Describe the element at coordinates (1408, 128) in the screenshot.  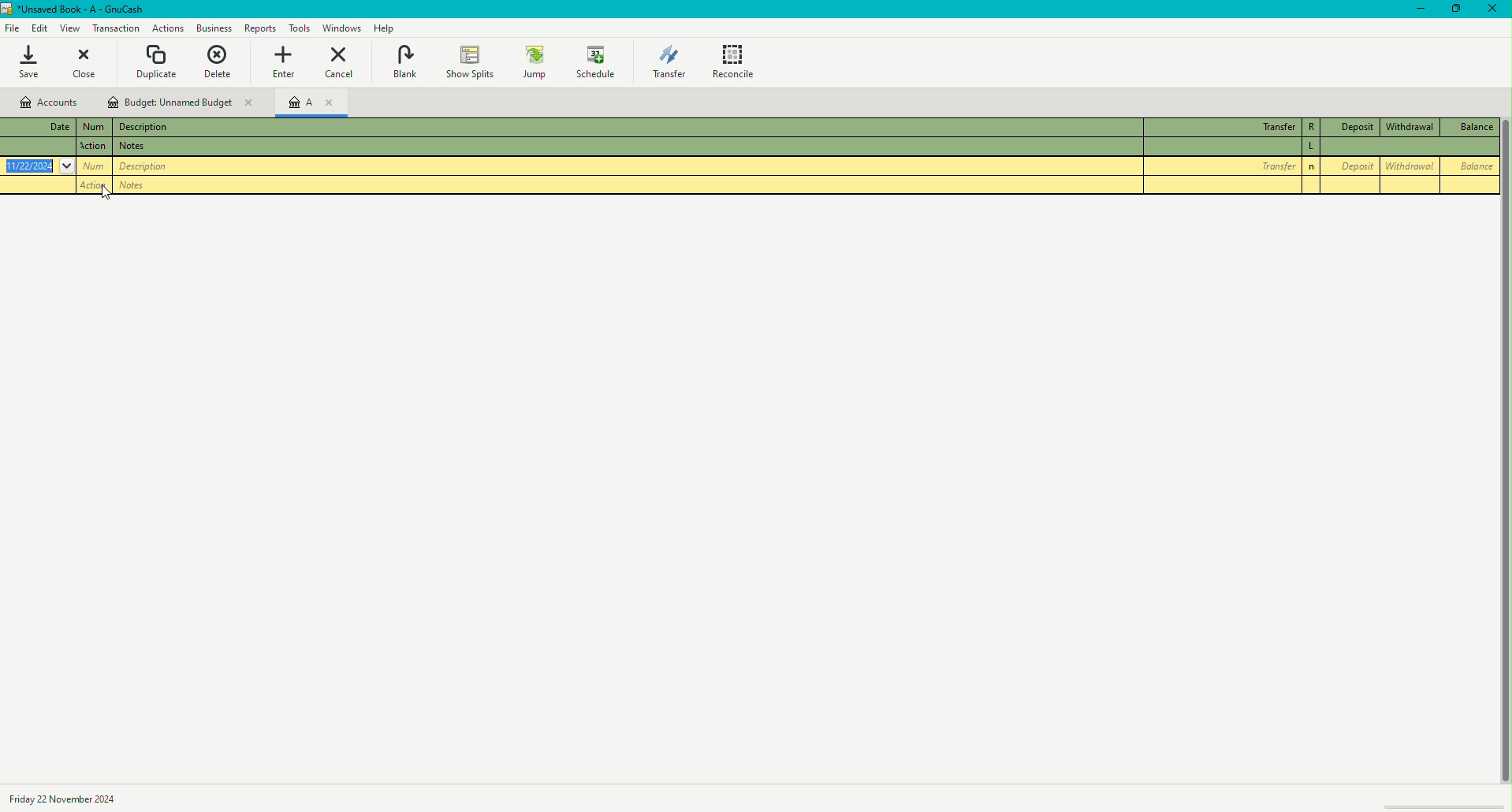
I see `Withdrawal` at that location.